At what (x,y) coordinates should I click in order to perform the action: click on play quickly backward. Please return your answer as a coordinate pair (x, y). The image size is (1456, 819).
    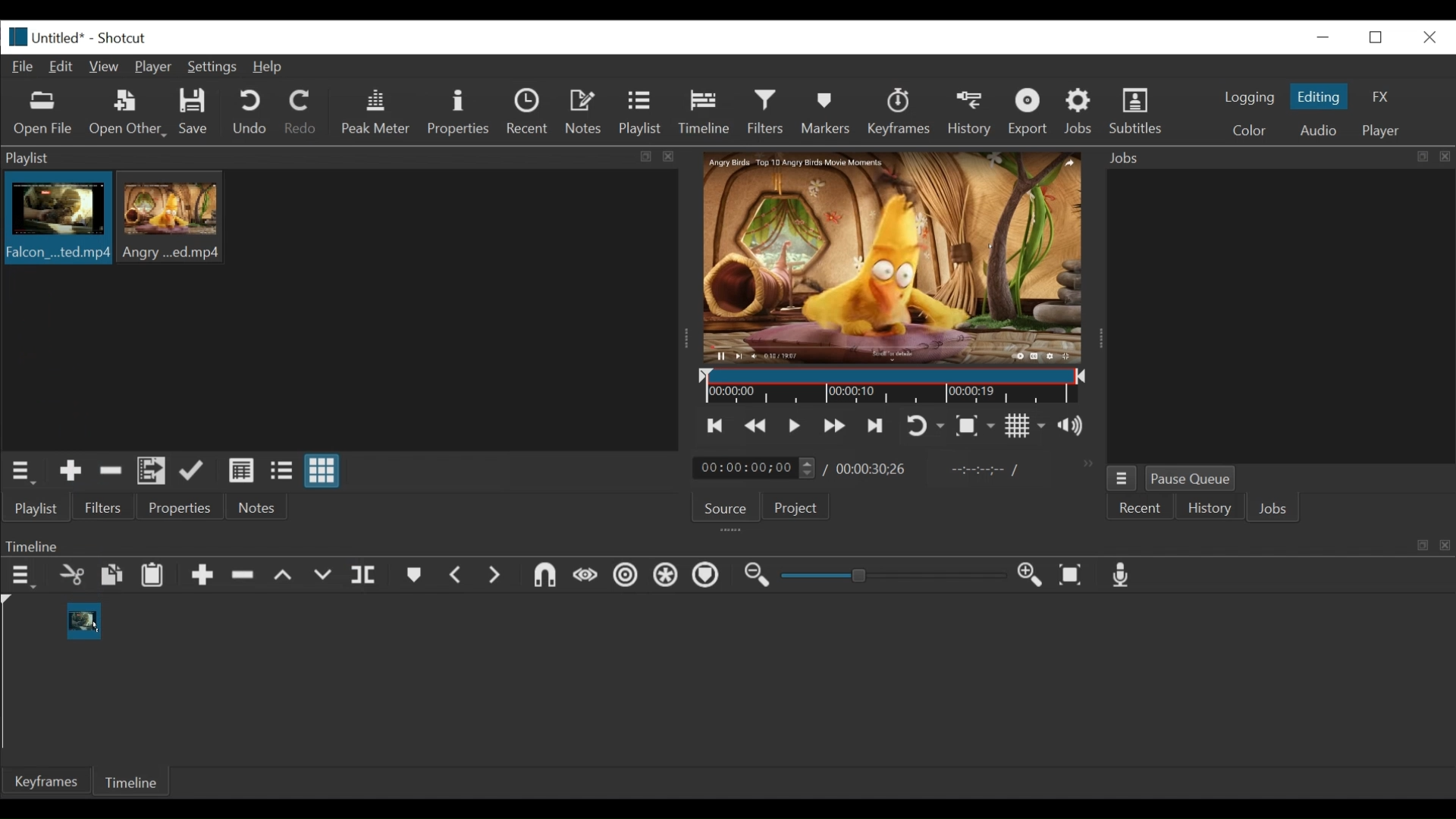
    Looking at the image, I should click on (756, 426).